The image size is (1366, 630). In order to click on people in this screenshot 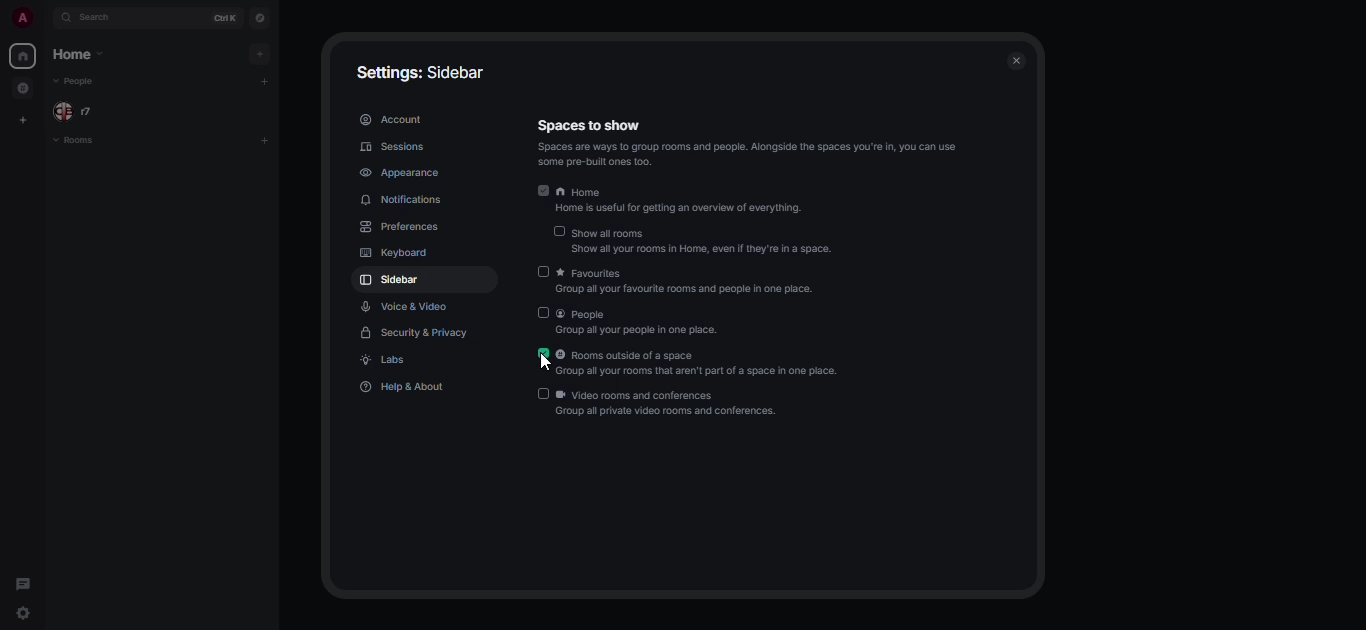, I will do `click(77, 111)`.